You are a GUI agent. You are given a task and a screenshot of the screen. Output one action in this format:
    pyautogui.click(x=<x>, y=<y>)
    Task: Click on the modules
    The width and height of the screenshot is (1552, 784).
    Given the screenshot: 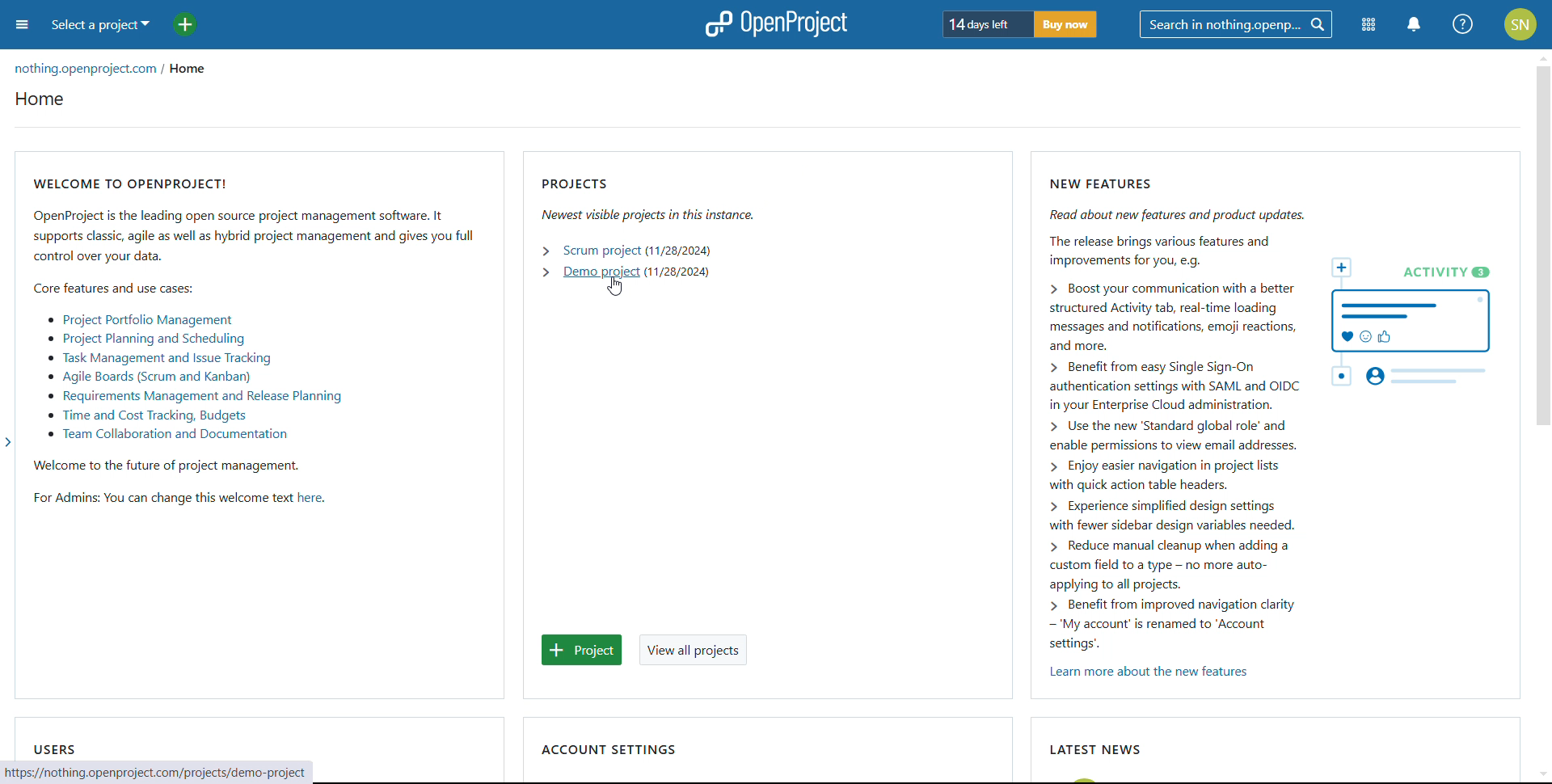 What is the action you would take?
    pyautogui.click(x=1369, y=26)
    